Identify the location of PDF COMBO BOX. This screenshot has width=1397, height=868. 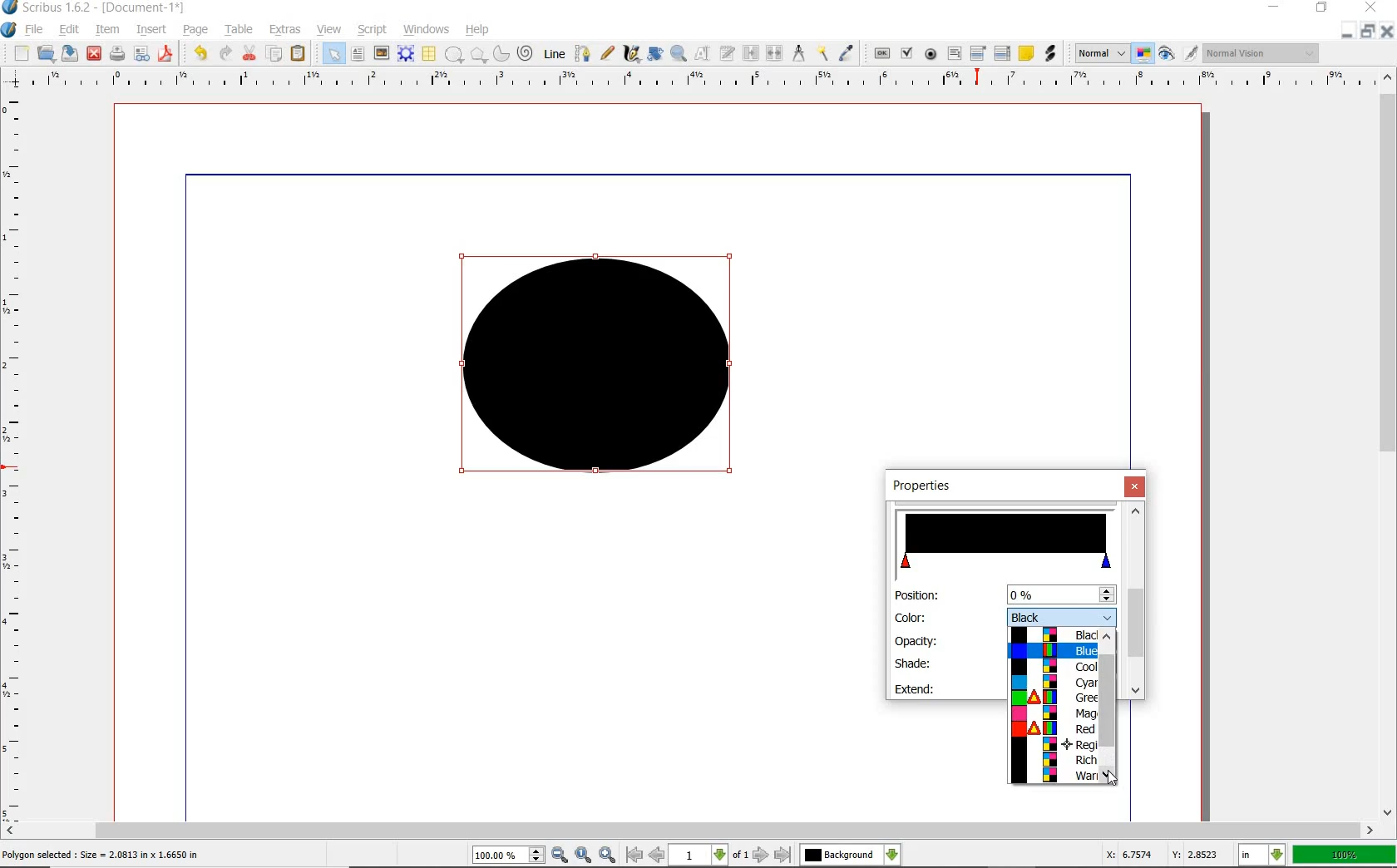
(977, 52).